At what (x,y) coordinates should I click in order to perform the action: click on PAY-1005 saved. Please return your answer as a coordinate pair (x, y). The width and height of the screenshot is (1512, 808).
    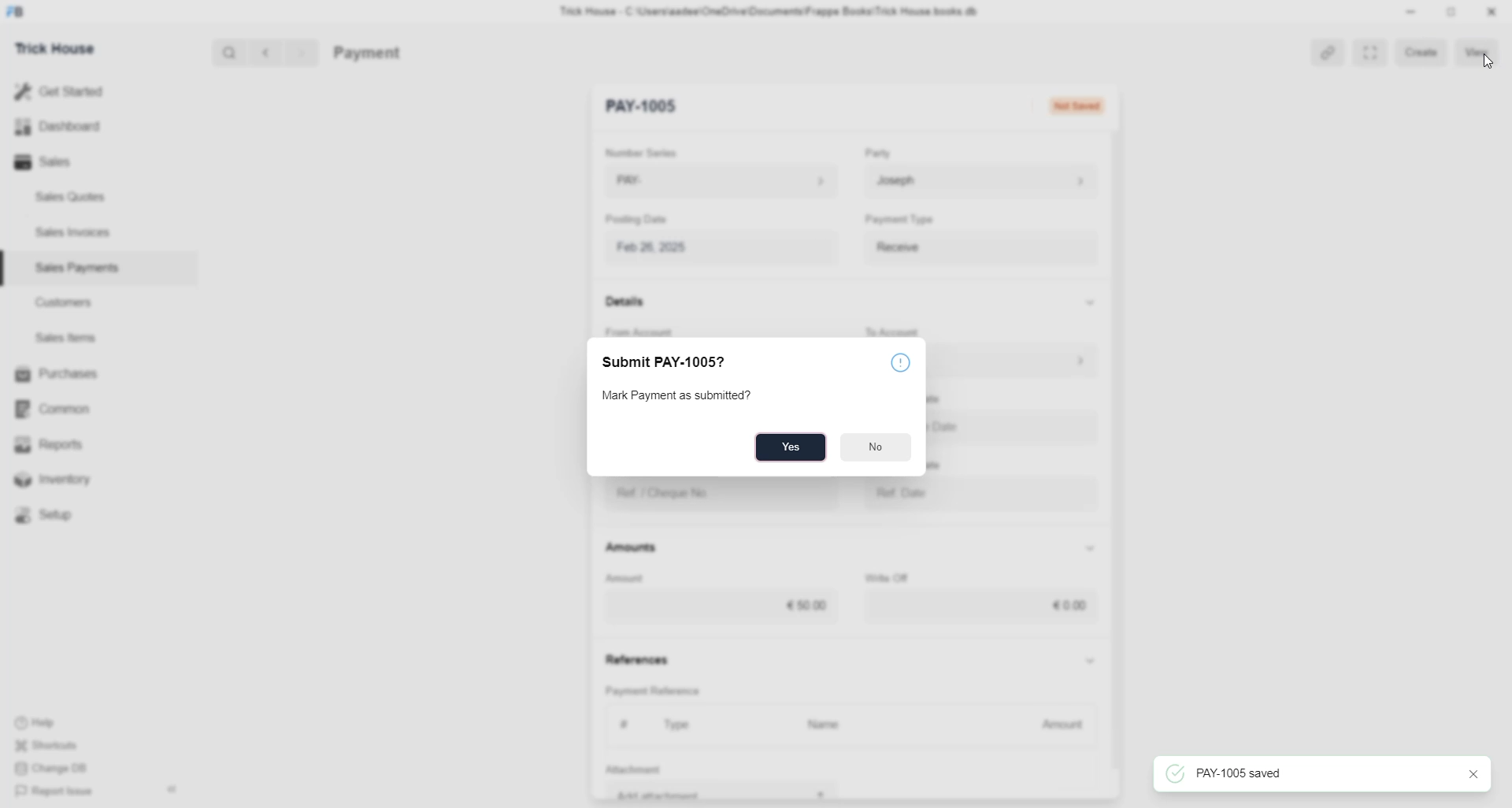
    Looking at the image, I should click on (1225, 773).